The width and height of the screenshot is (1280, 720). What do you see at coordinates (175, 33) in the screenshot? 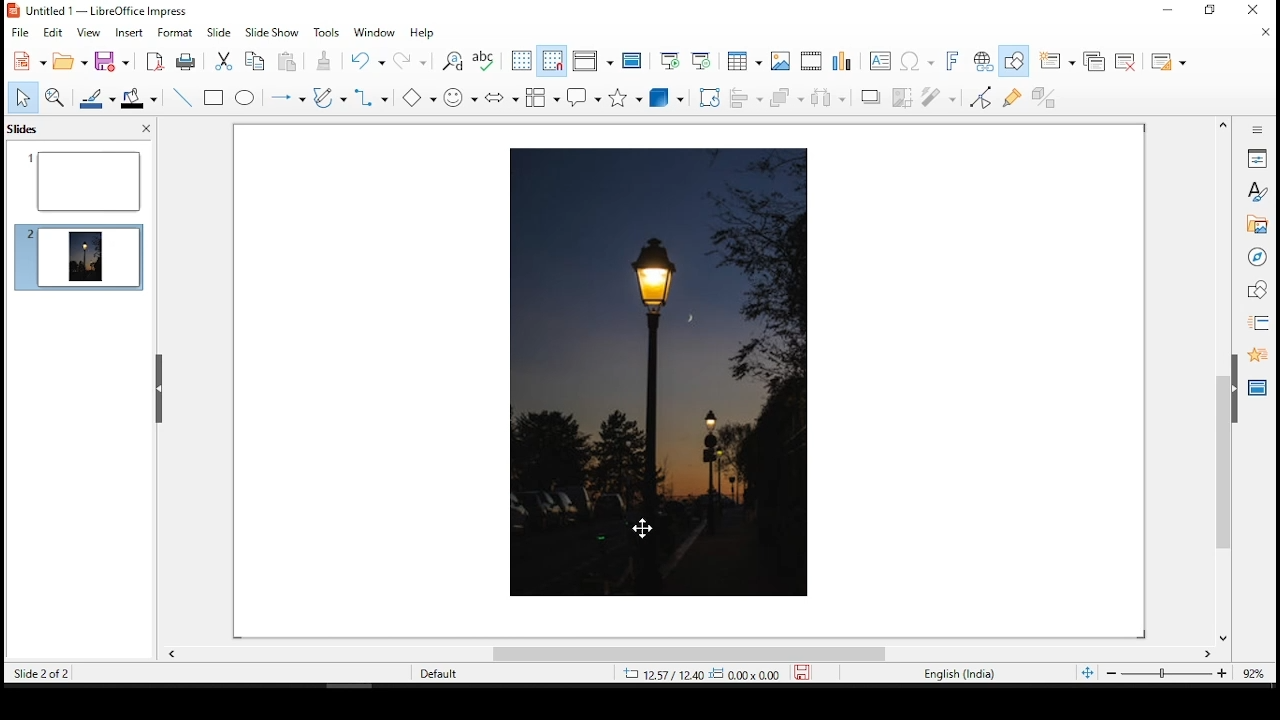
I see `format` at bounding box center [175, 33].